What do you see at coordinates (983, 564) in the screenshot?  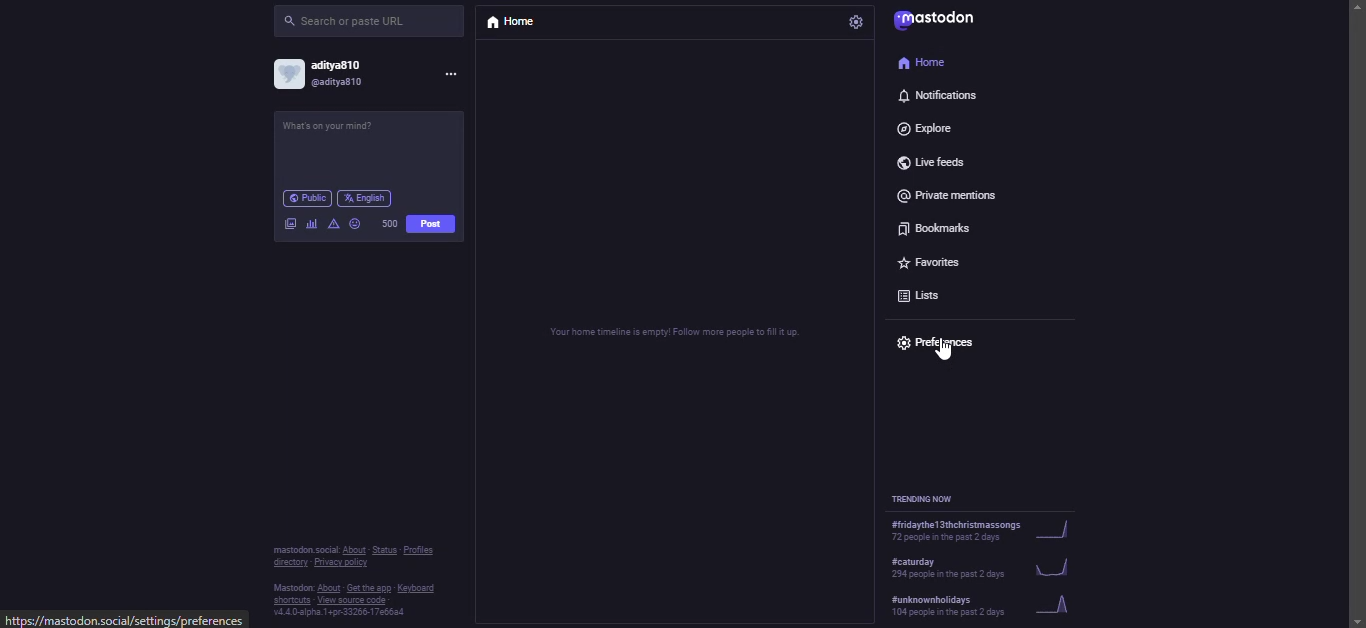 I see `trending` at bounding box center [983, 564].